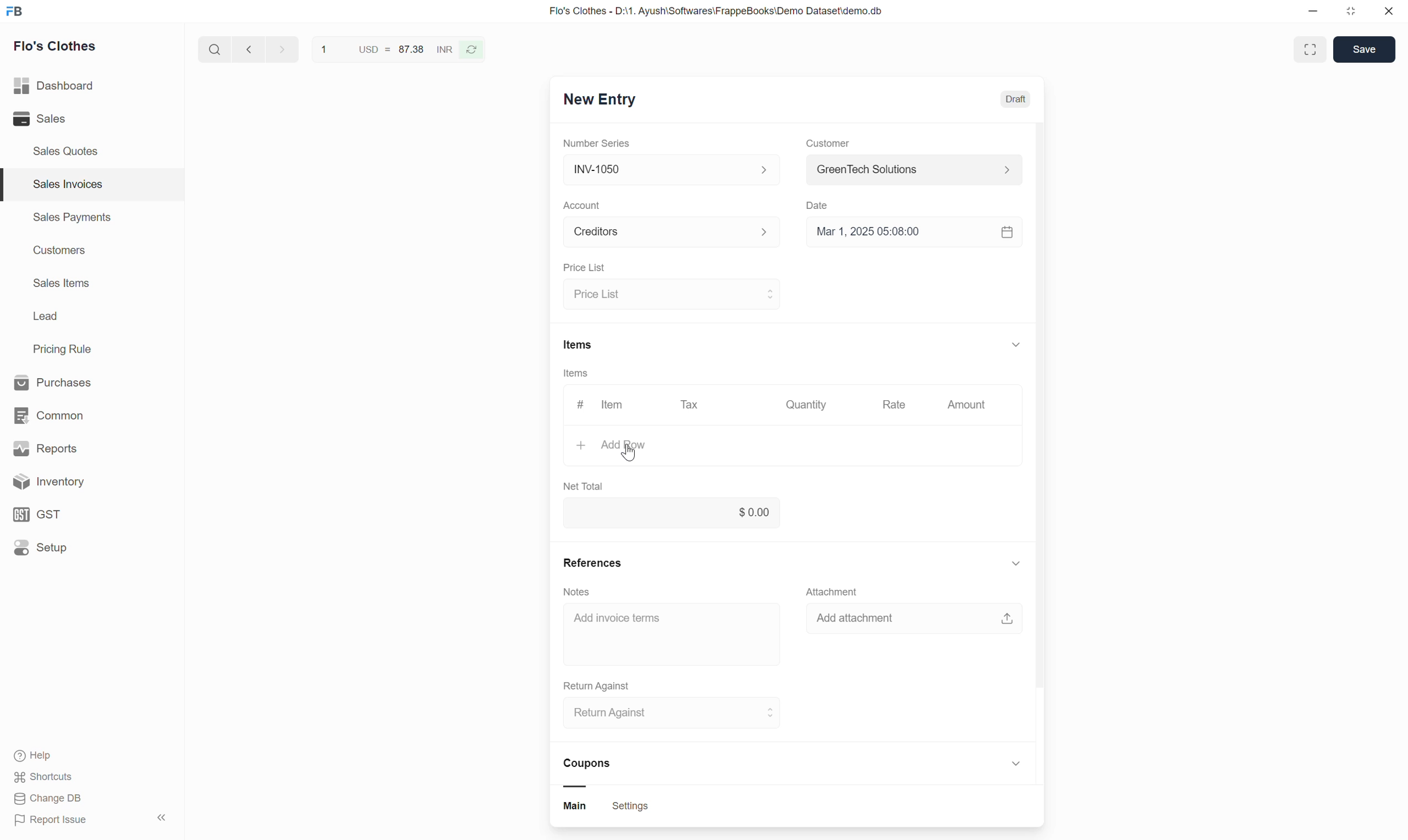  Describe the element at coordinates (64, 119) in the screenshot. I see `Sales ` at that location.